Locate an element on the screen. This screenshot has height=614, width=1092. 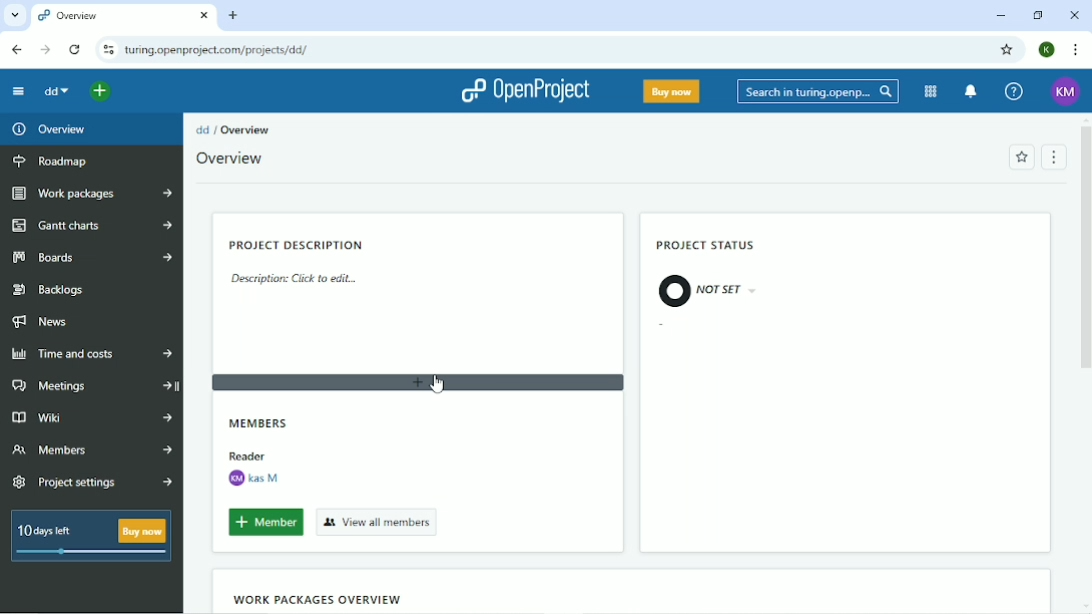
Back is located at coordinates (18, 49).